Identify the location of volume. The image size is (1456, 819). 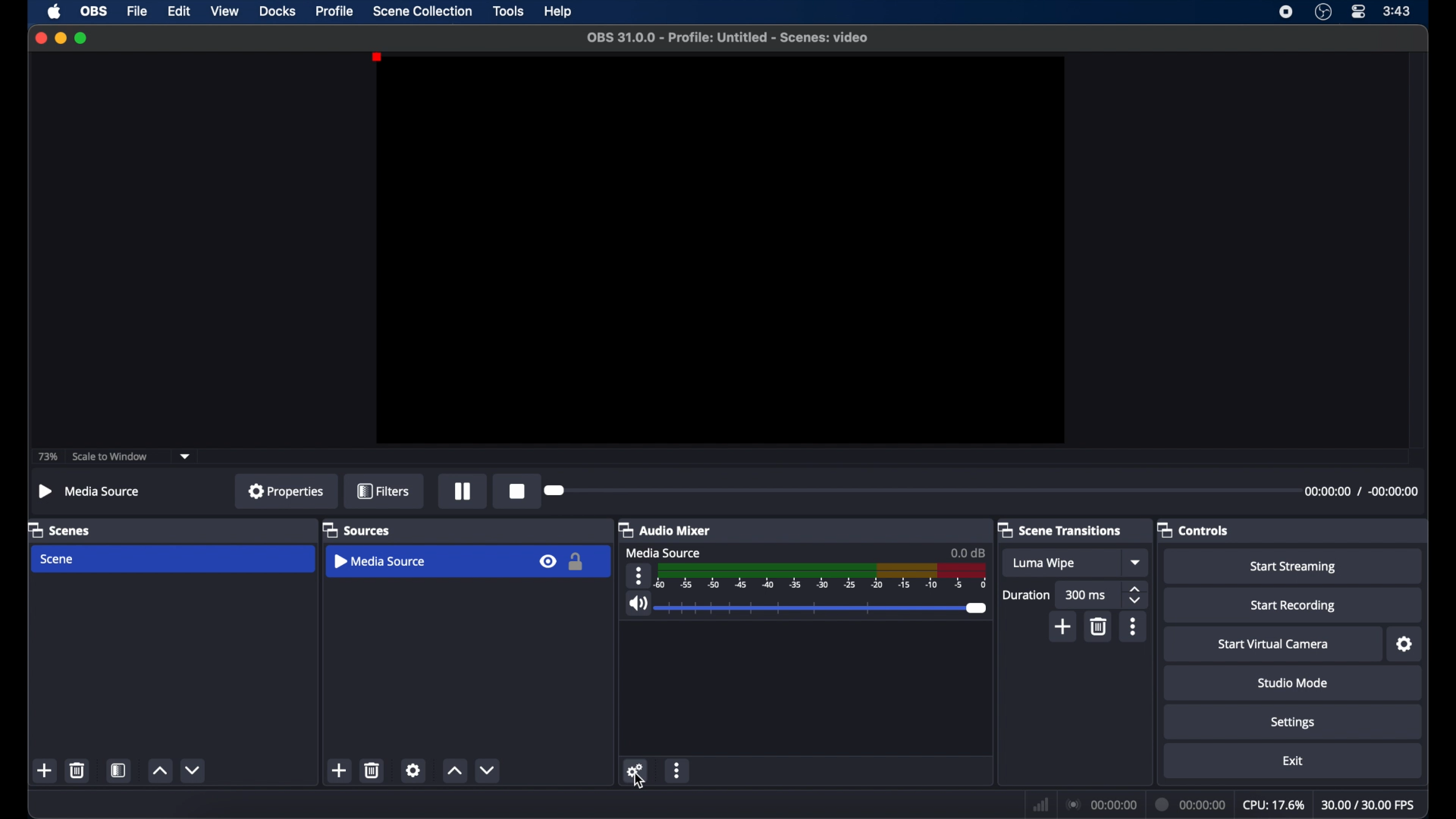
(637, 604).